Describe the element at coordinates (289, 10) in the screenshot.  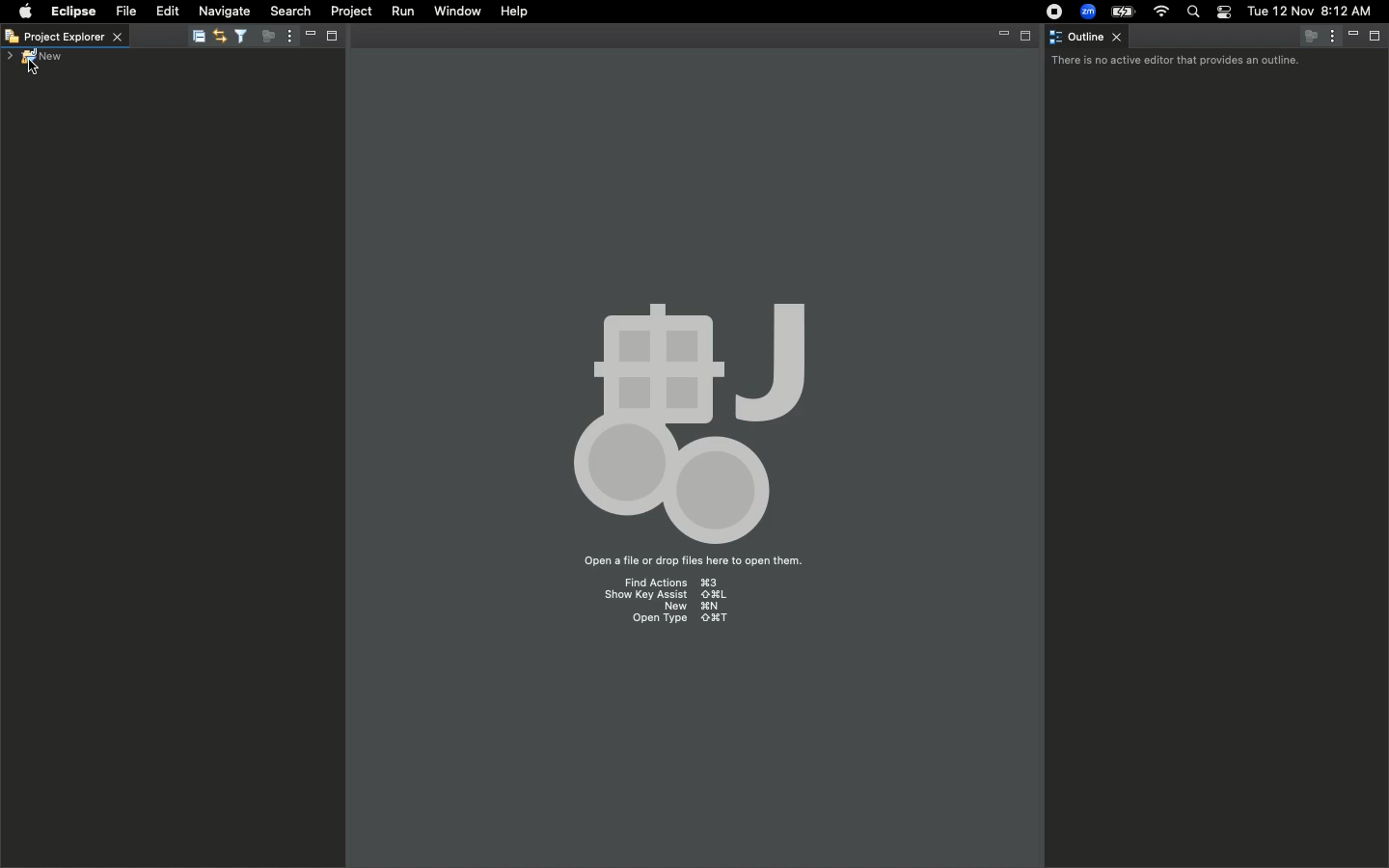
I see `Search` at that location.